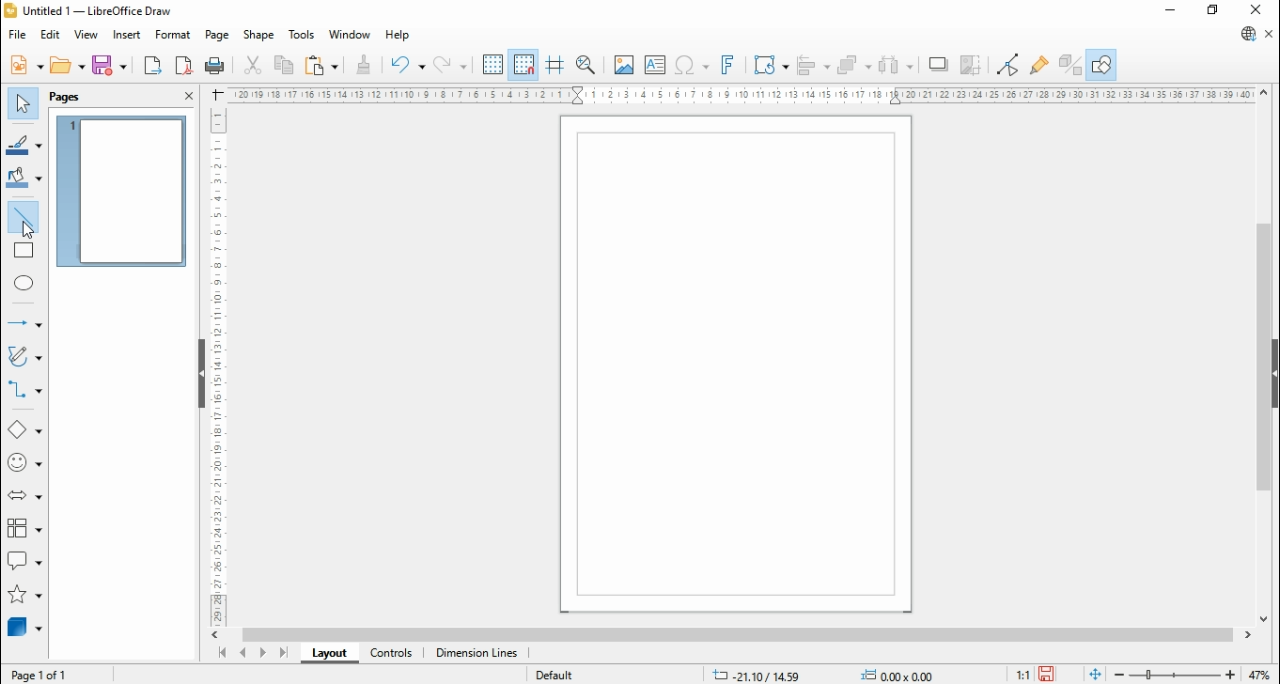 This screenshot has height=684, width=1280. I want to click on toggle extrusions, so click(1069, 64).